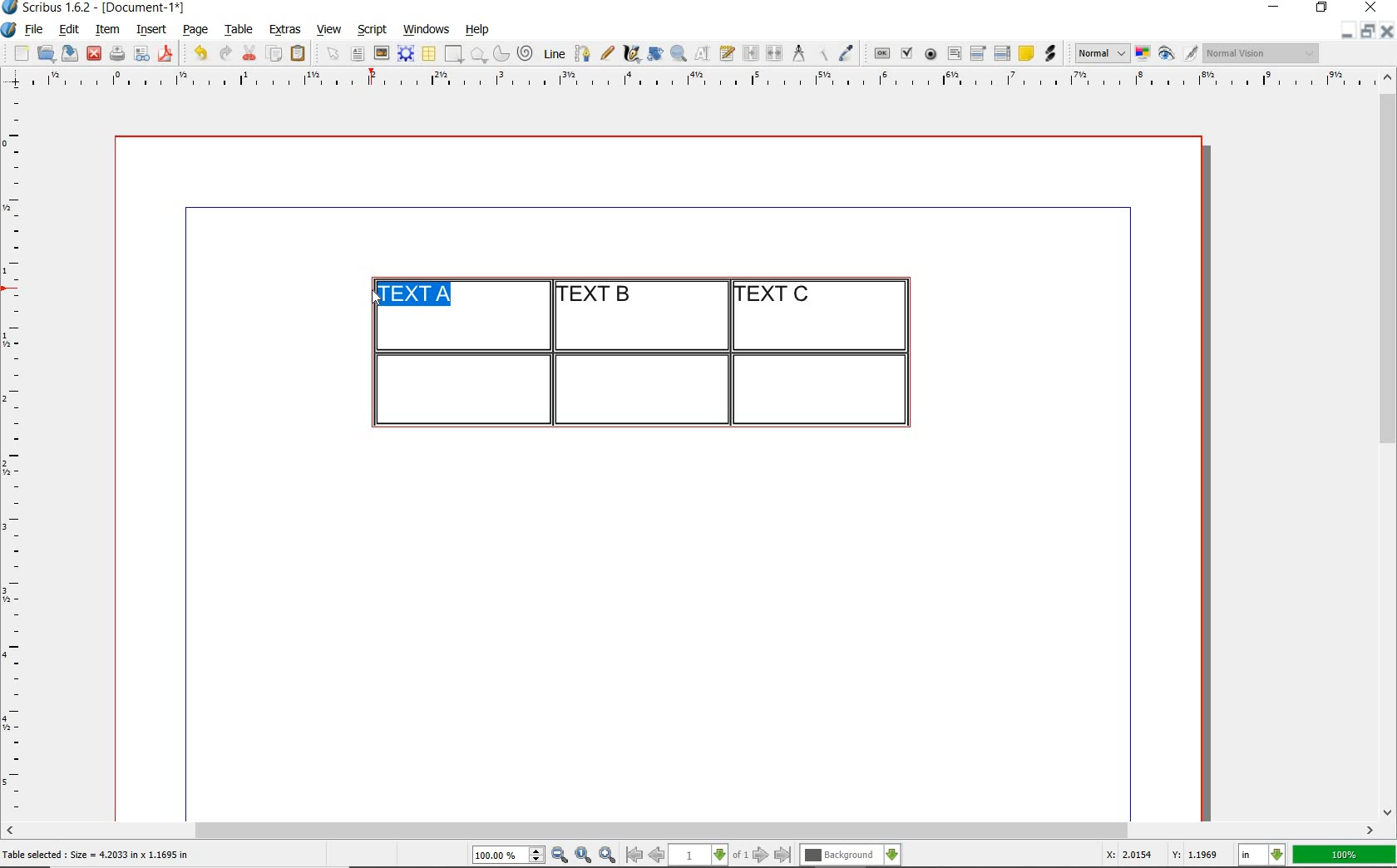  Describe the element at coordinates (45, 52) in the screenshot. I see `open` at that location.